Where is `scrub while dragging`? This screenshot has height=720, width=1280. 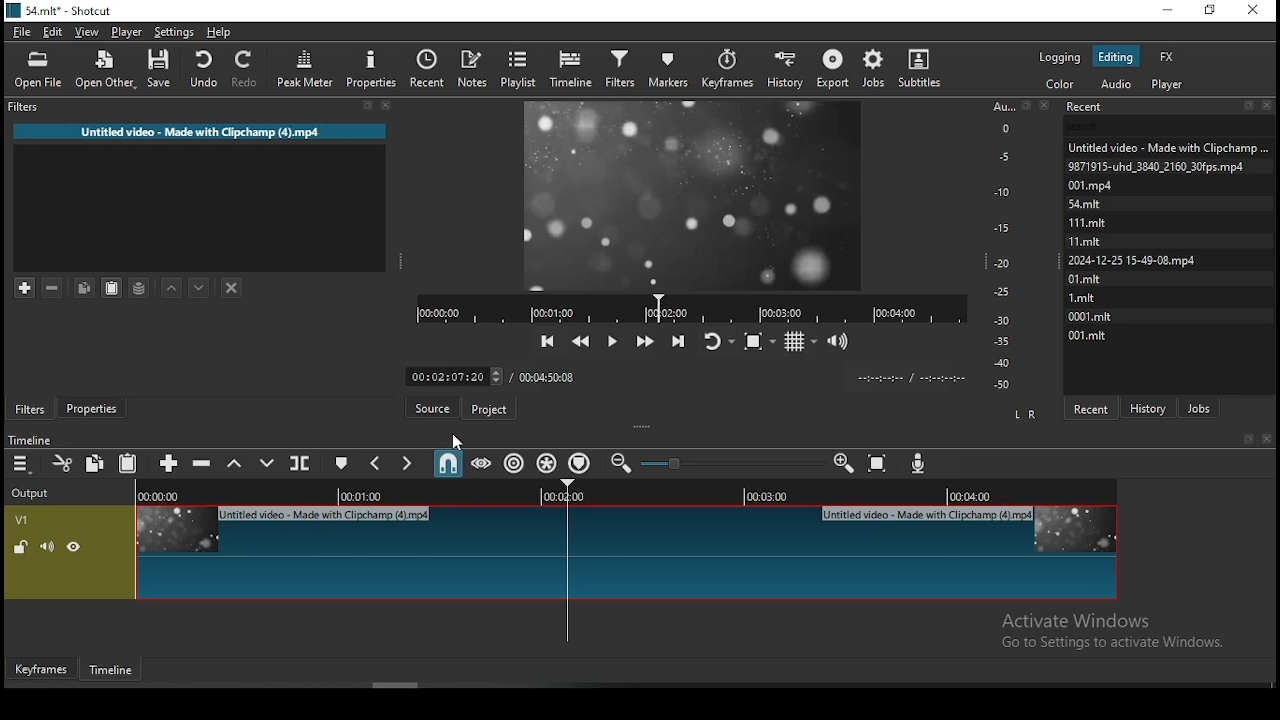 scrub while dragging is located at coordinates (479, 464).